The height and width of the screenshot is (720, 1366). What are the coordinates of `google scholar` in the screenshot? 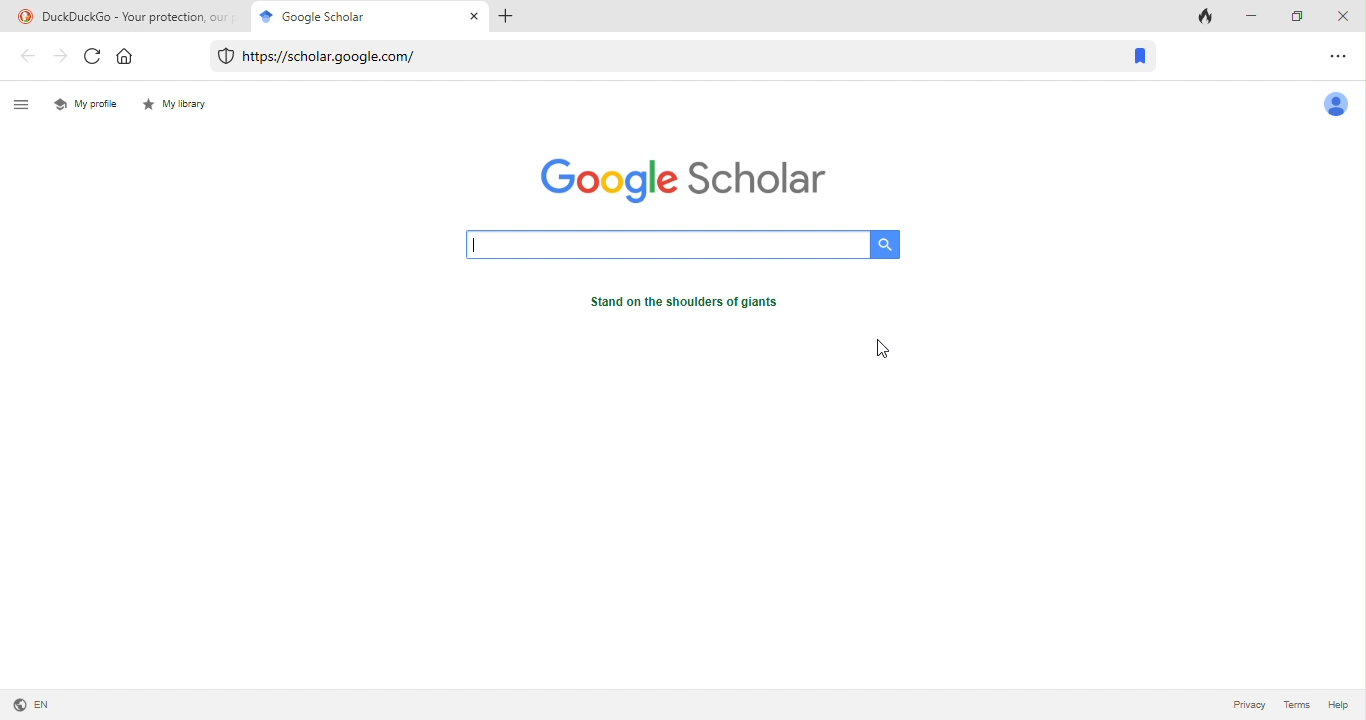 It's located at (345, 15).